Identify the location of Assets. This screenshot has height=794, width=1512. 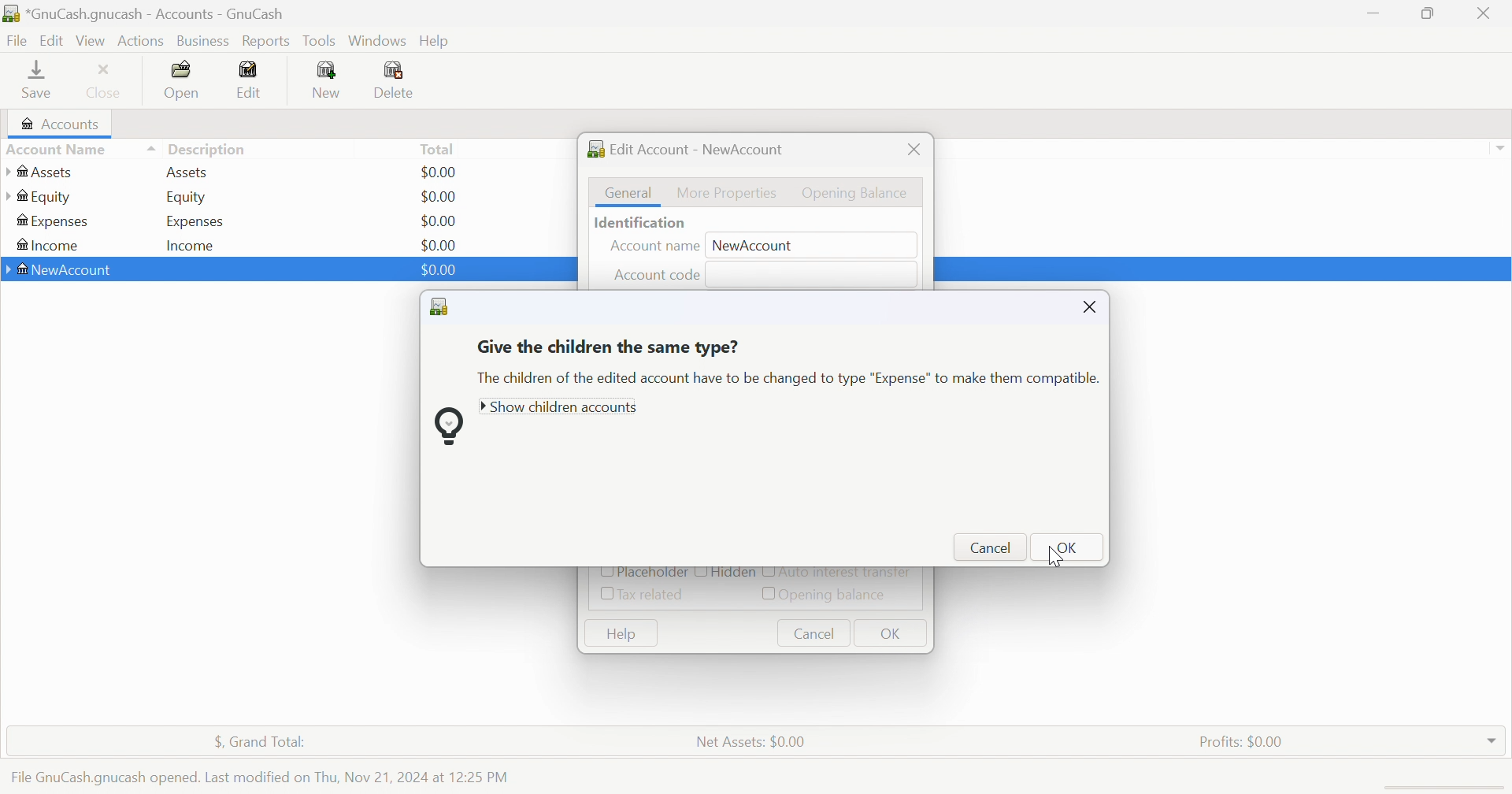
(48, 172).